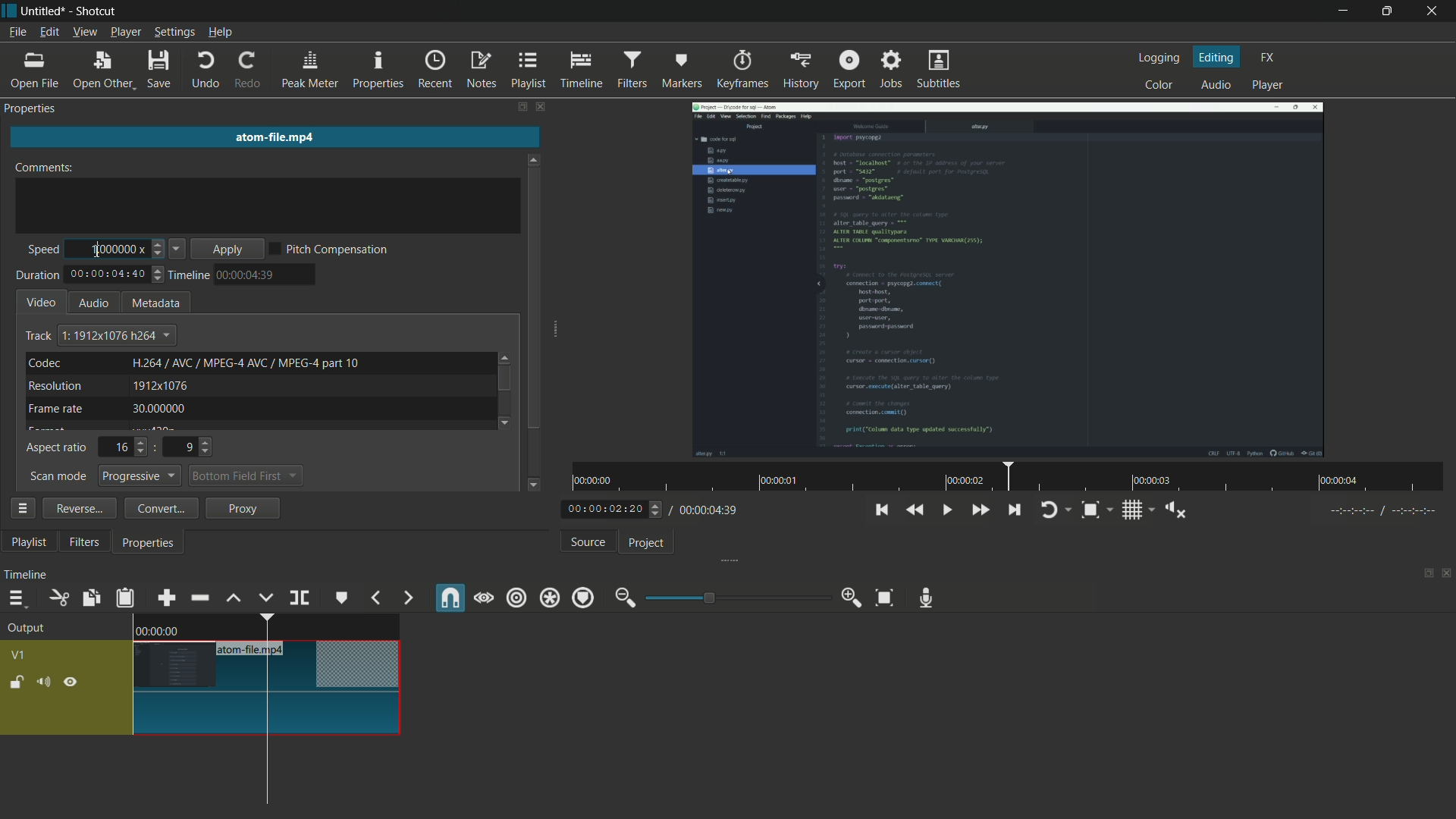 This screenshot has height=819, width=1456. What do you see at coordinates (45, 682) in the screenshot?
I see `mute` at bounding box center [45, 682].